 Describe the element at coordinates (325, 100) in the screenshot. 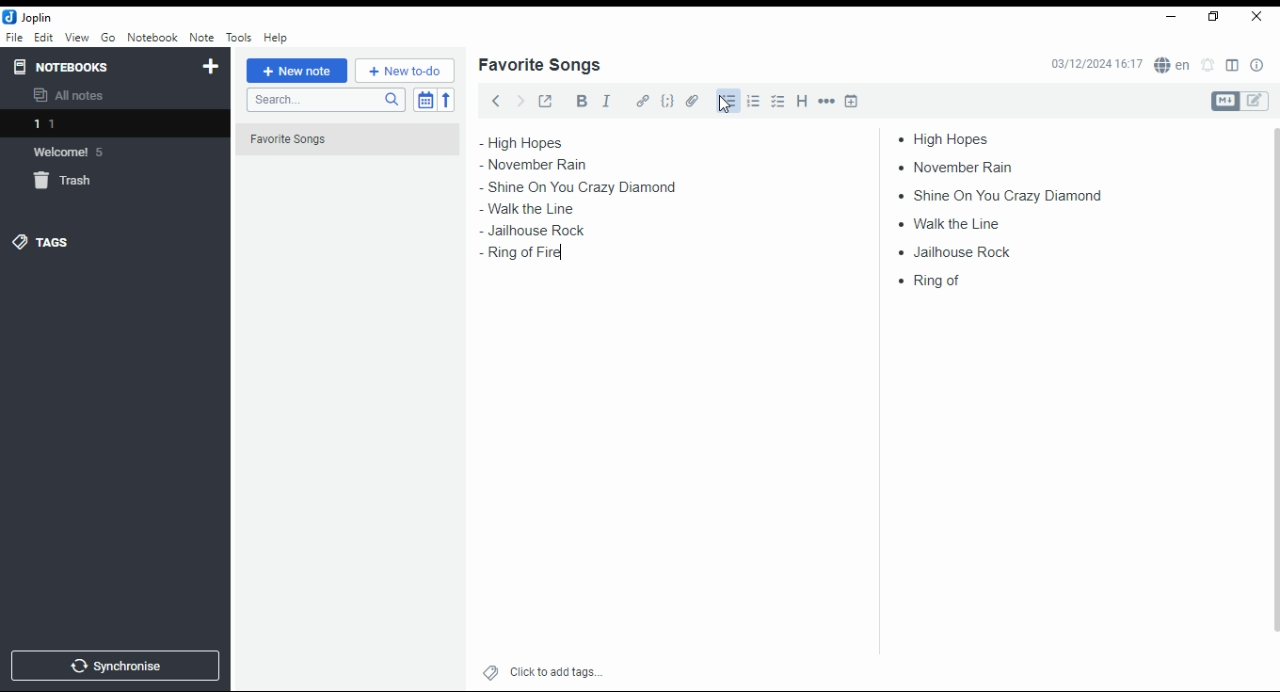

I see `search` at that location.